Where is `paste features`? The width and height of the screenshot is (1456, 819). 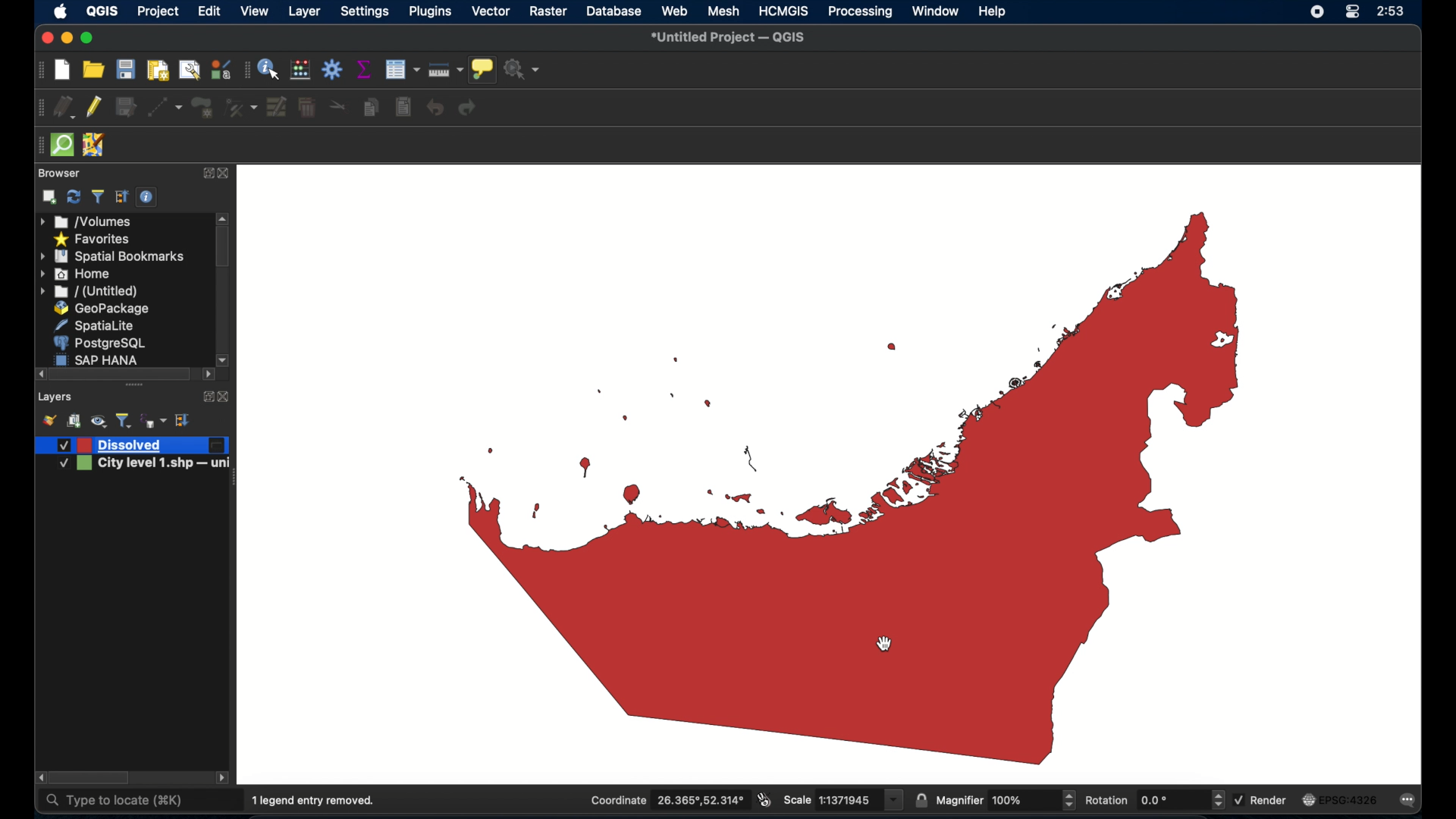 paste features is located at coordinates (403, 108).